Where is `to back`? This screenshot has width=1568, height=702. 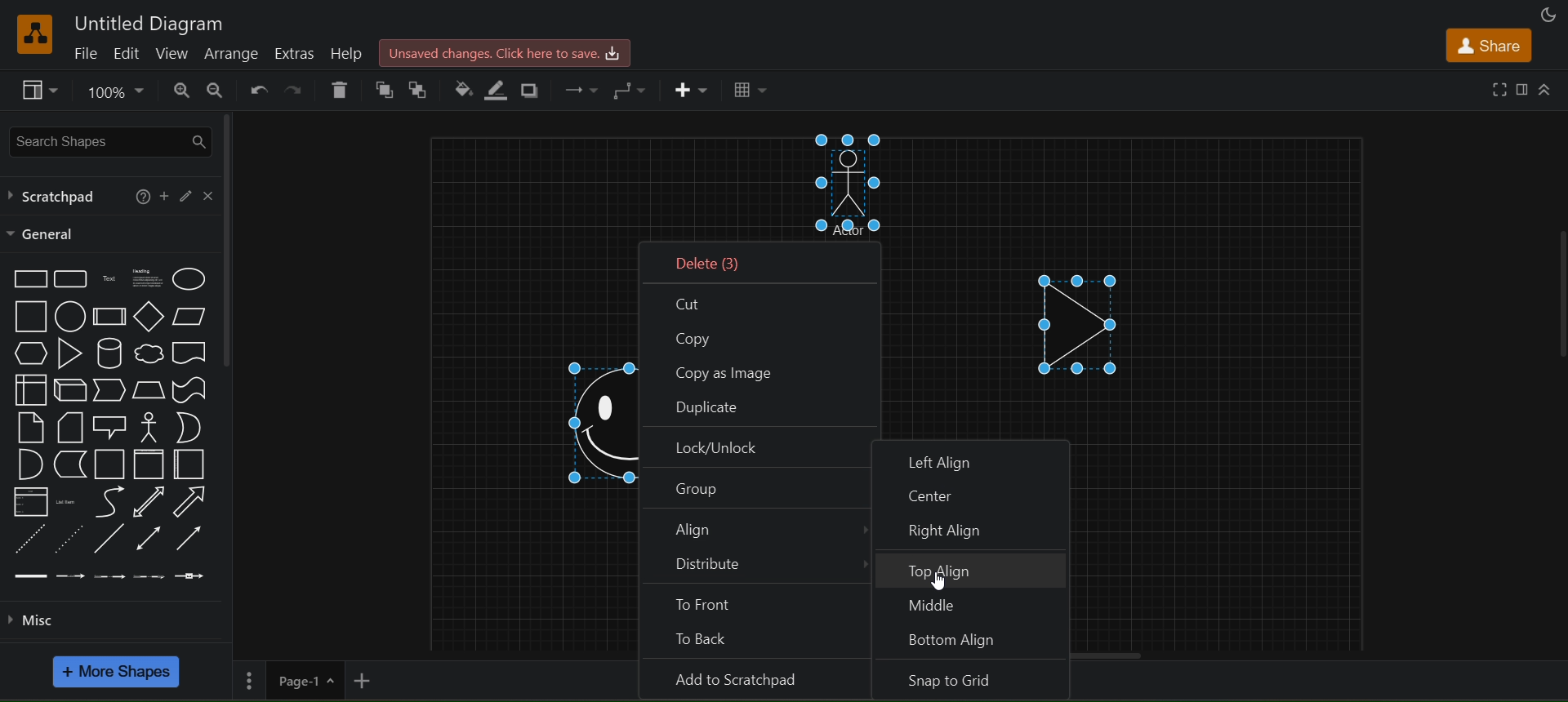 to back is located at coordinates (425, 87).